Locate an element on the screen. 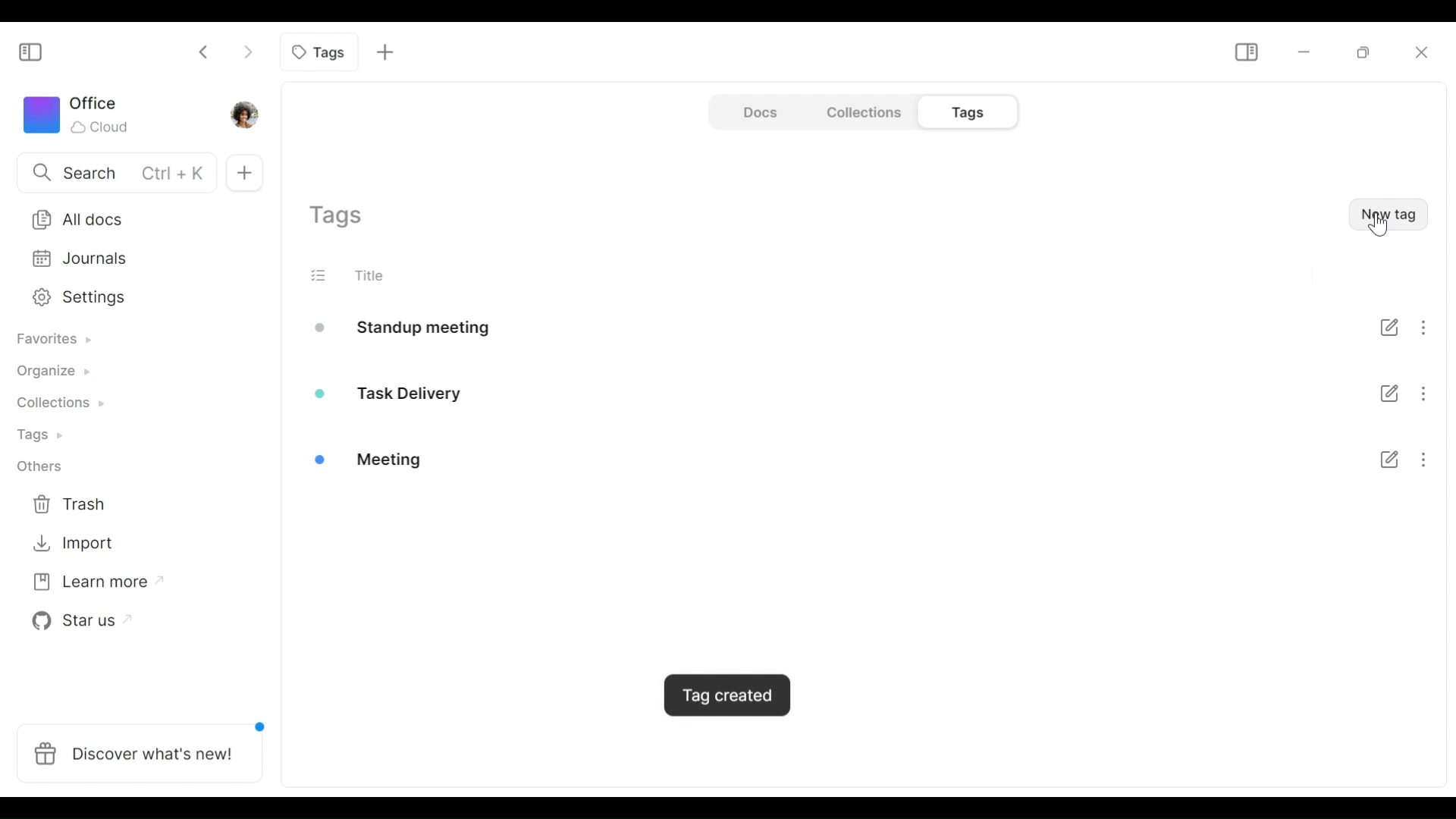 The height and width of the screenshot is (819, 1456). Others is located at coordinates (45, 465).